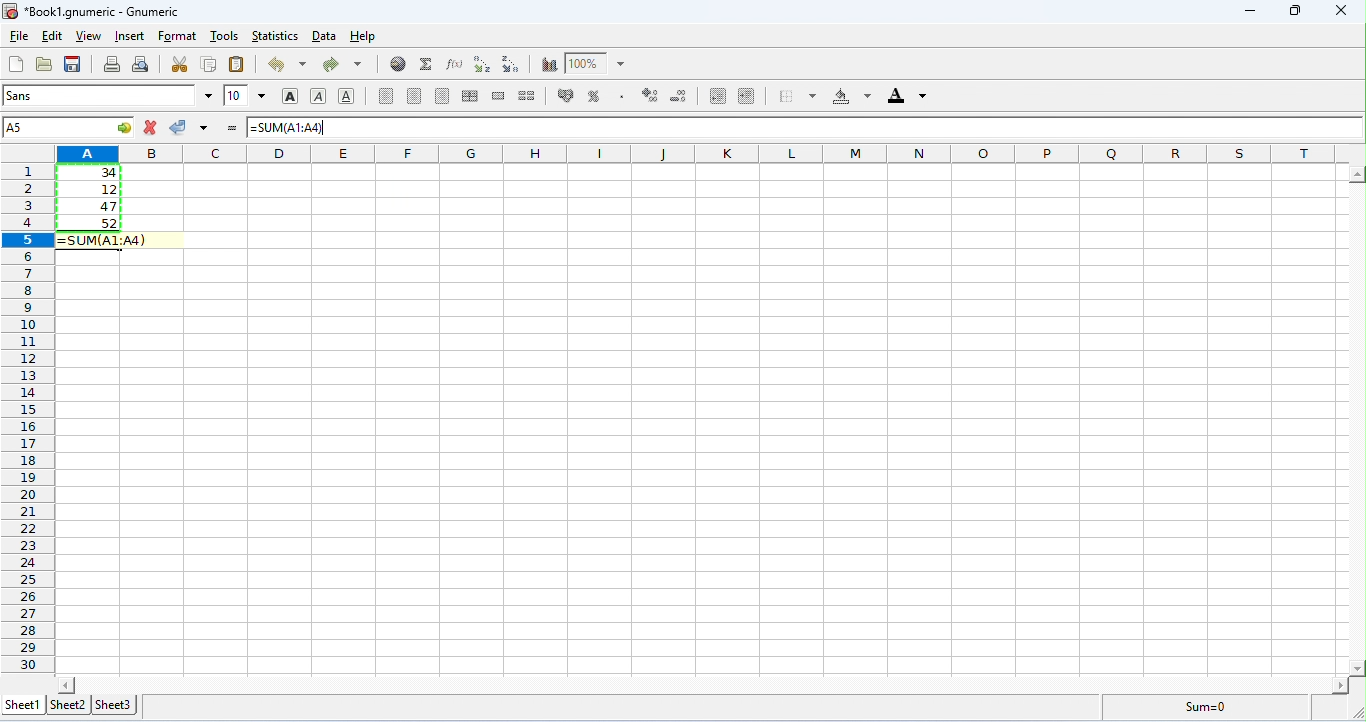 The height and width of the screenshot is (722, 1366). What do you see at coordinates (292, 128) in the screenshot?
I see `formula for sum typed` at bounding box center [292, 128].